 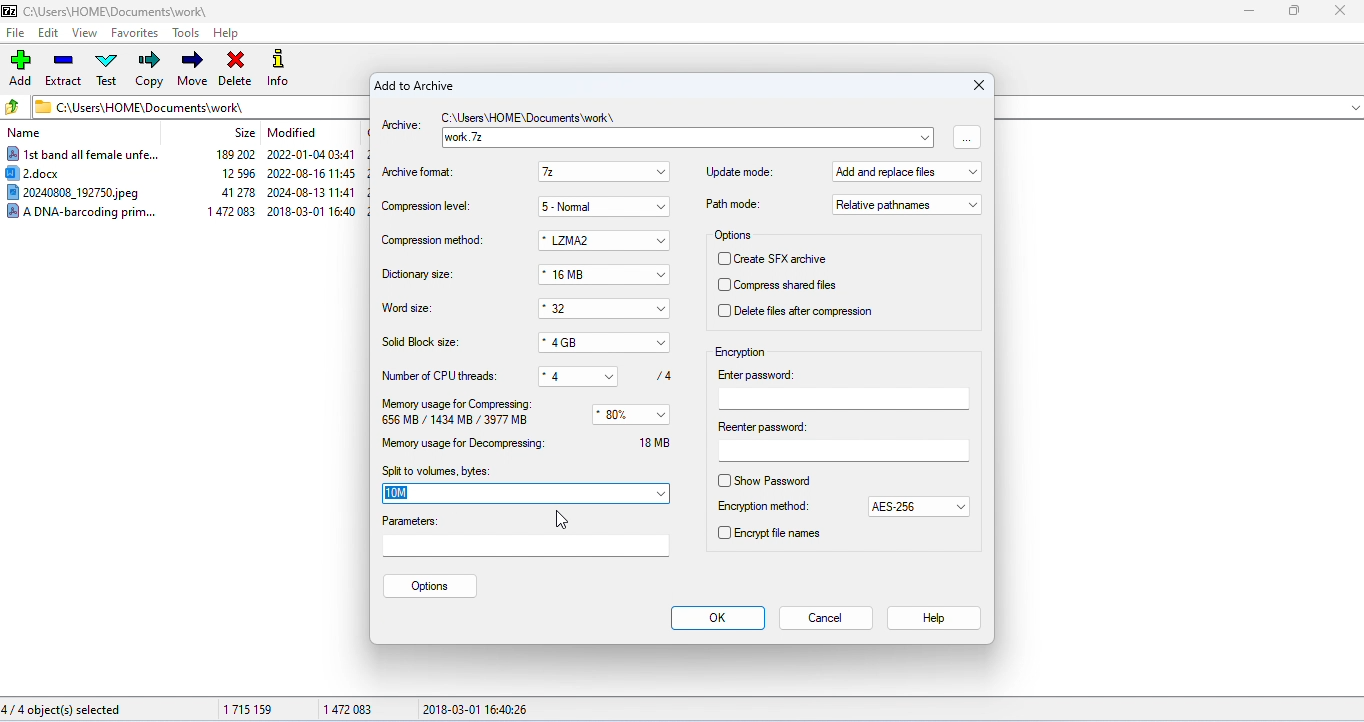 What do you see at coordinates (226, 34) in the screenshot?
I see `help` at bounding box center [226, 34].